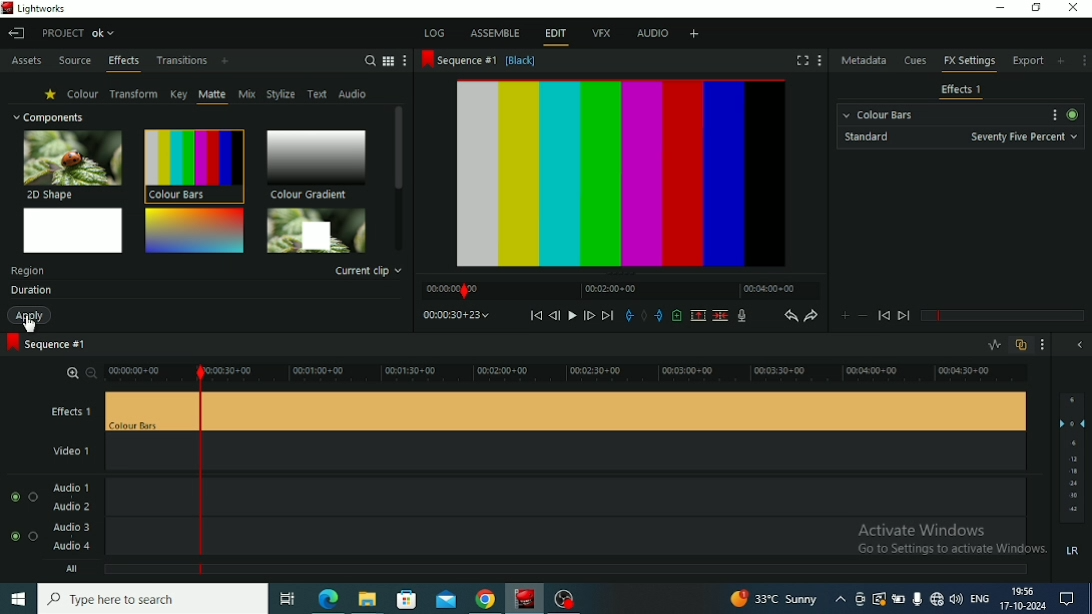 Image resolution: width=1092 pixels, height=614 pixels. I want to click on Add keyframe (s) at the current position, so click(845, 316).